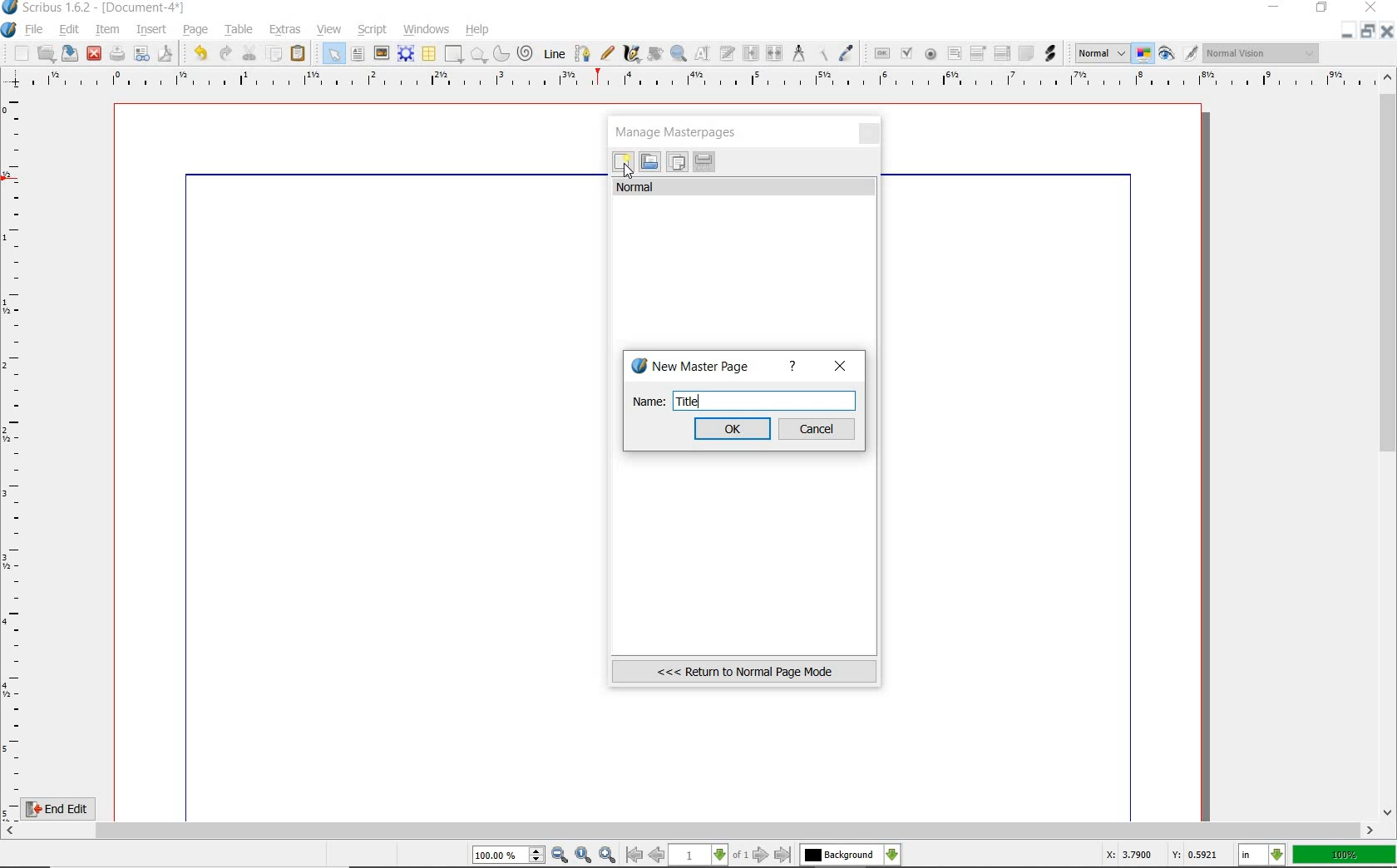 This screenshot has height=868, width=1397. I want to click on line, so click(553, 53).